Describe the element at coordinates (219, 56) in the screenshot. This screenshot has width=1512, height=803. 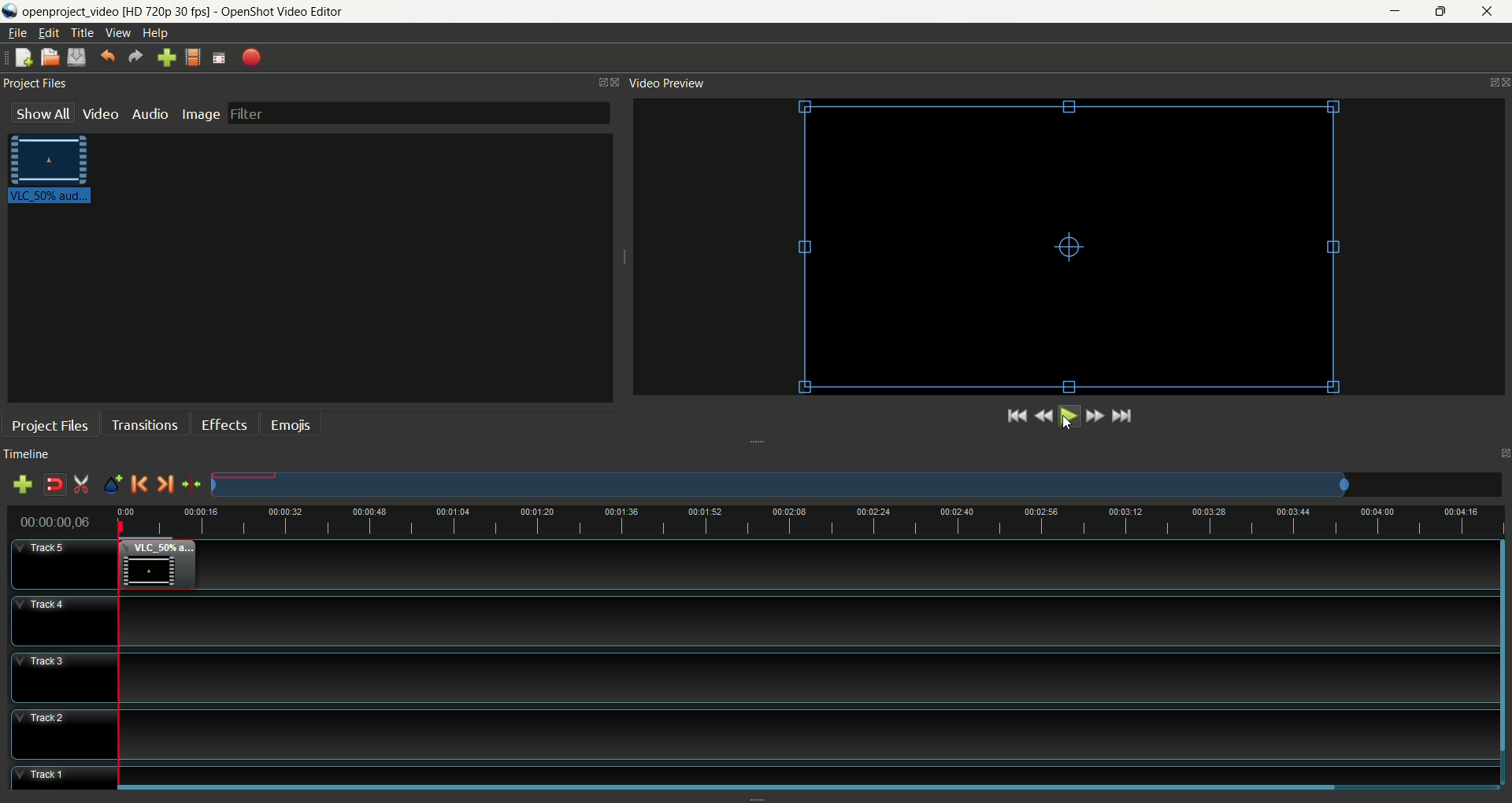
I see `fullscreen` at that location.